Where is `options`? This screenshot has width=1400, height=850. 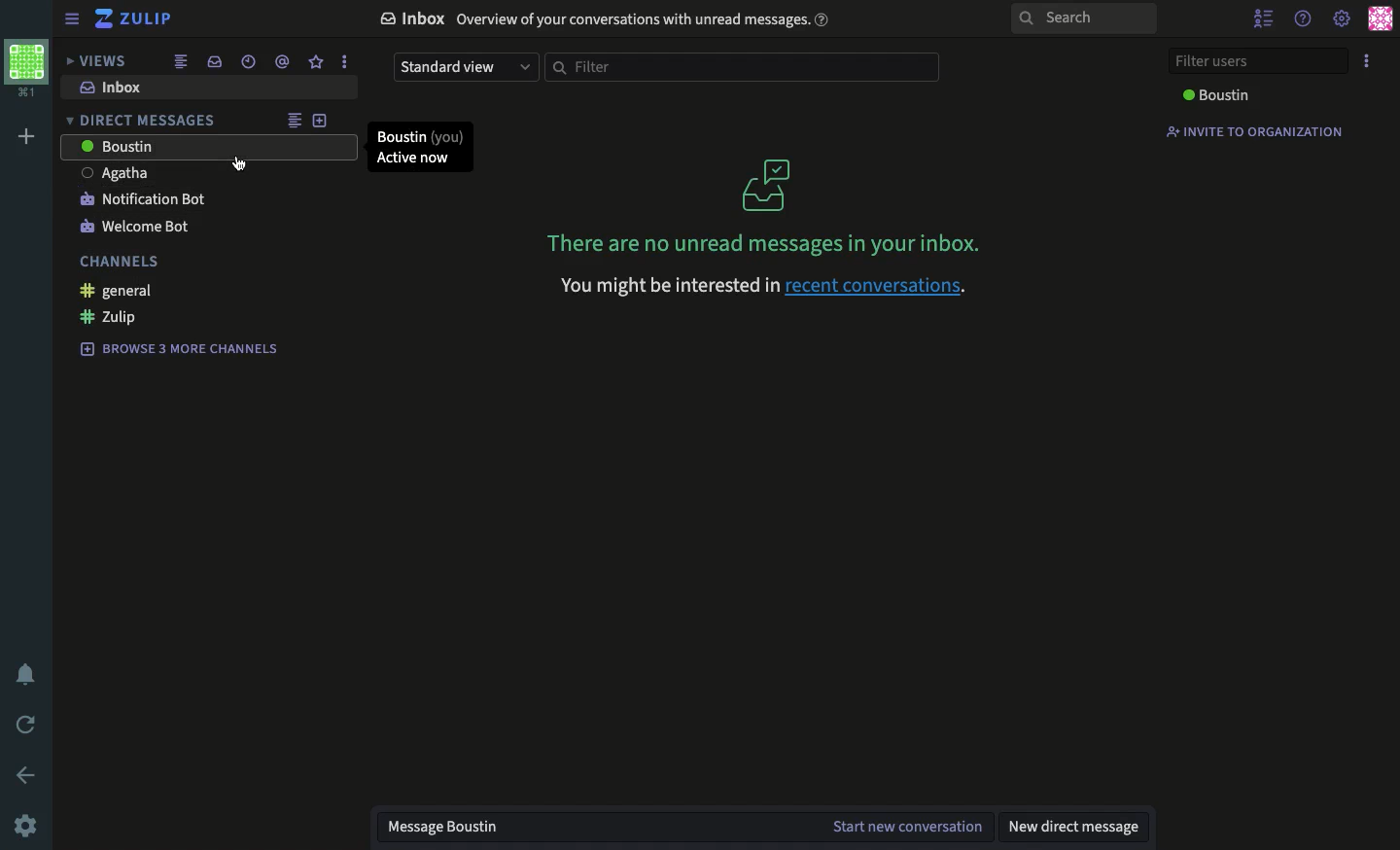
options is located at coordinates (345, 62).